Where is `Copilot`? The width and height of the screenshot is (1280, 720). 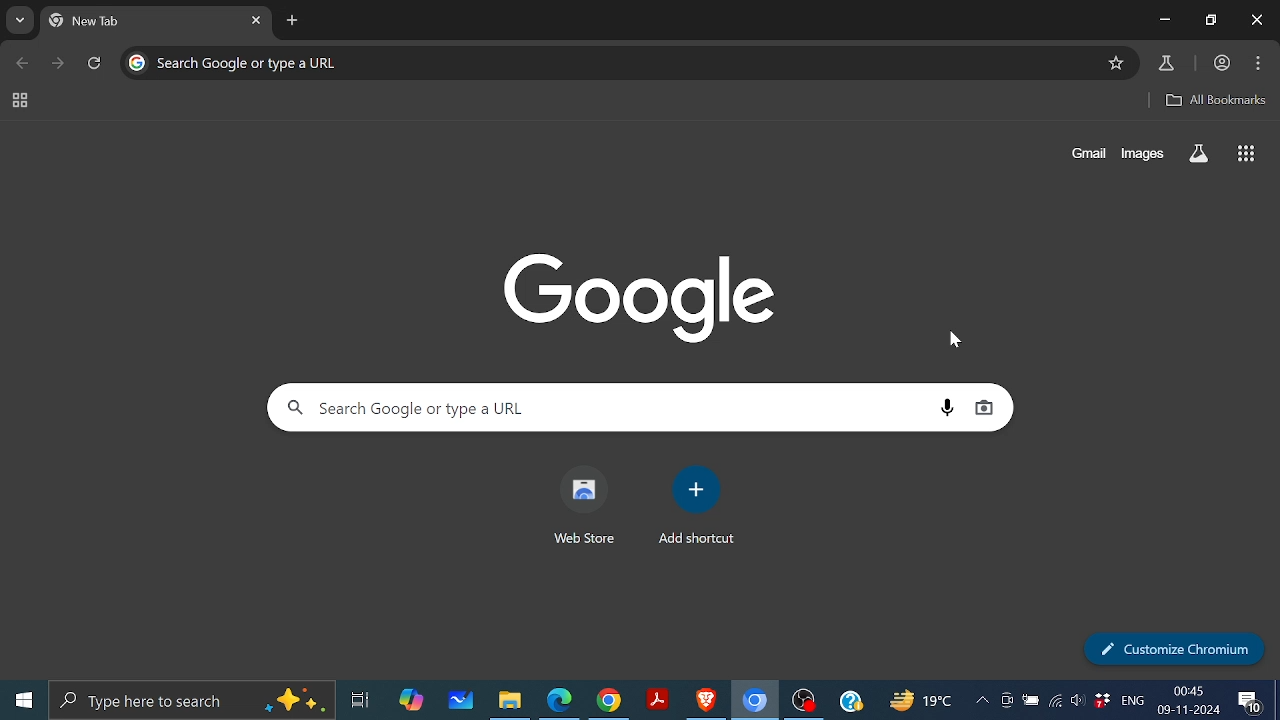 Copilot is located at coordinates (409, 699).